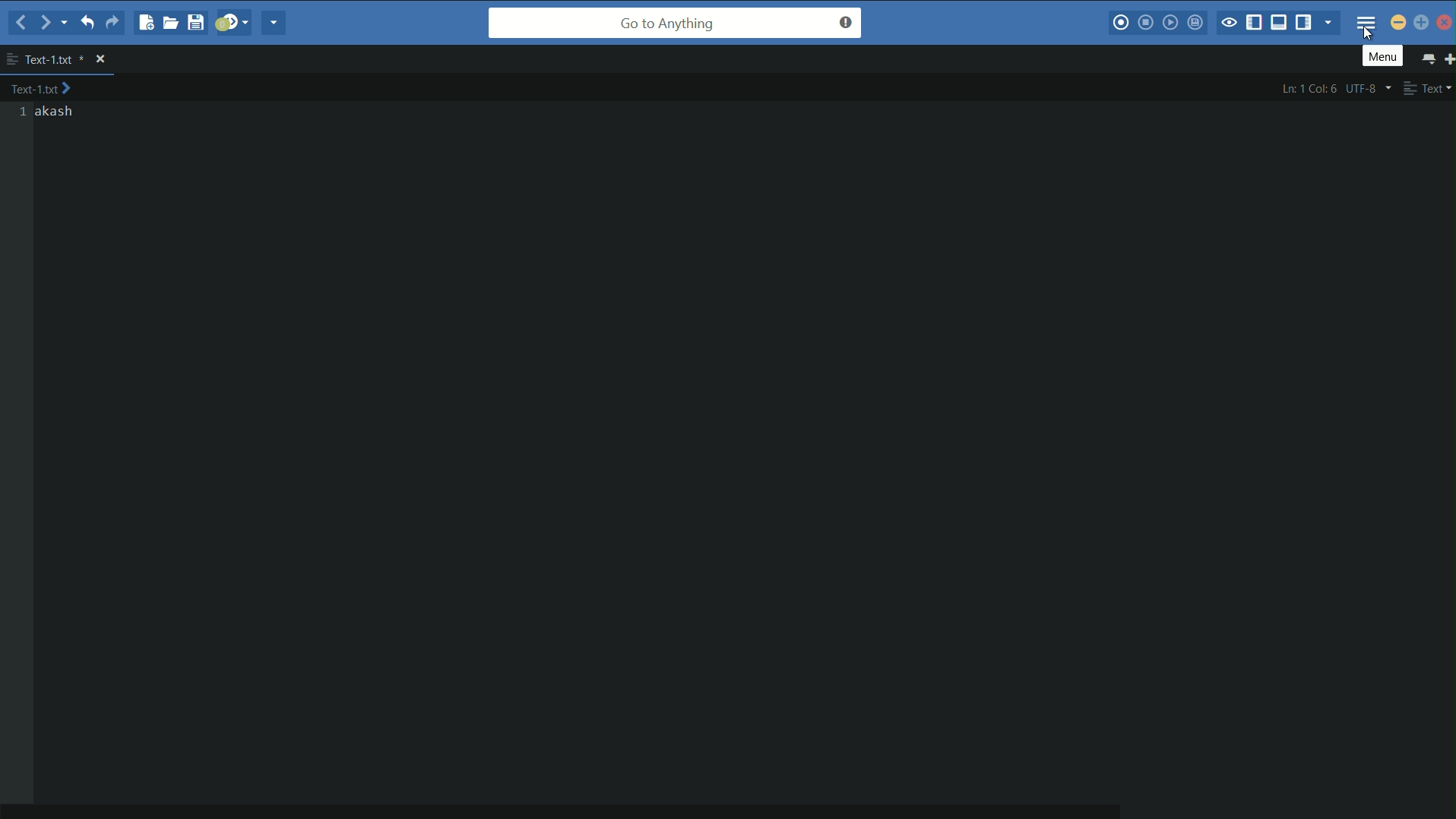 The image size is (1456, 819). I want to click on share current file, so click(273, 23).